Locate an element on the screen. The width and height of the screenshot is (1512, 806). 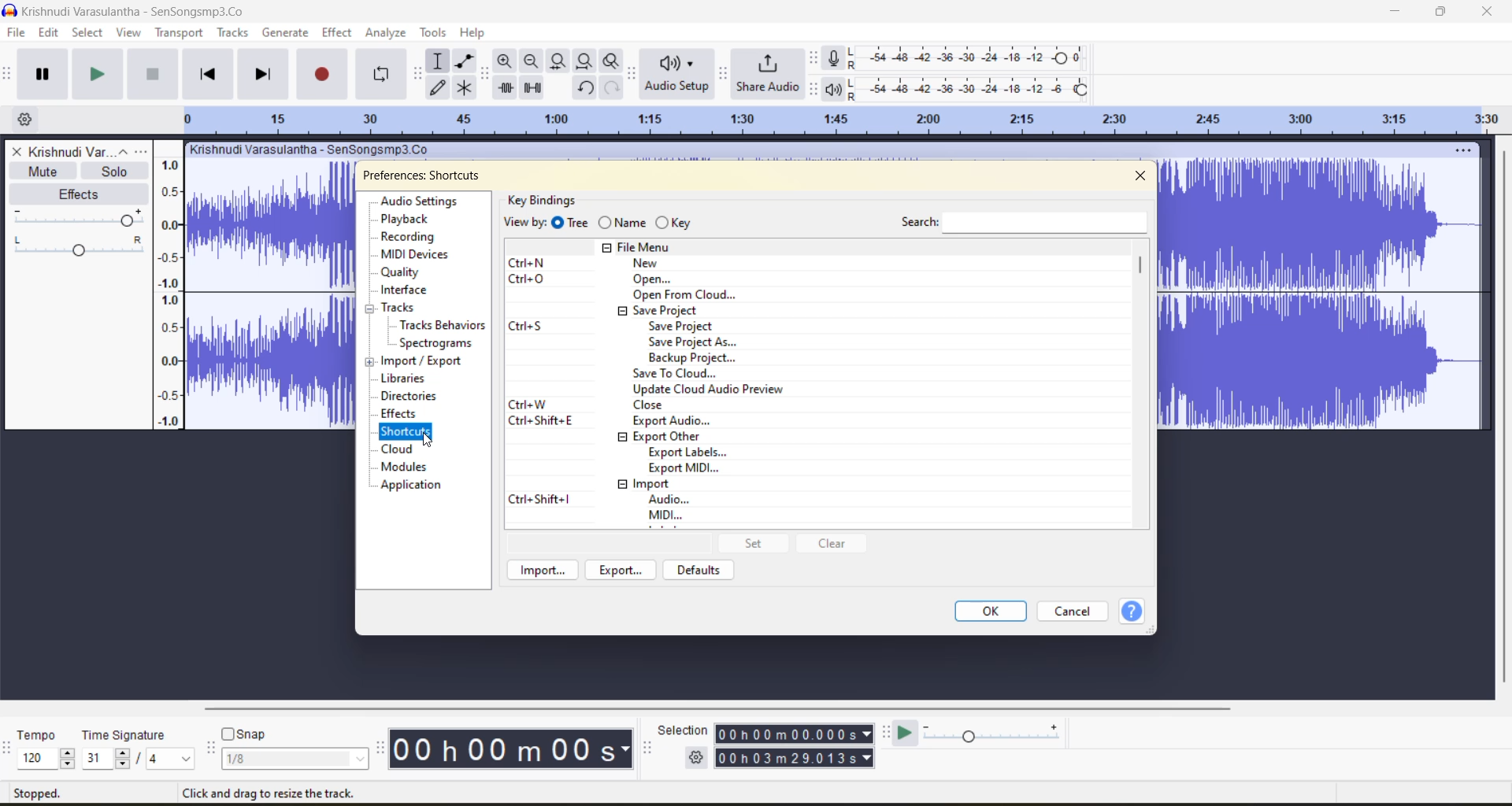
modules is located at coordinates (419, 464).